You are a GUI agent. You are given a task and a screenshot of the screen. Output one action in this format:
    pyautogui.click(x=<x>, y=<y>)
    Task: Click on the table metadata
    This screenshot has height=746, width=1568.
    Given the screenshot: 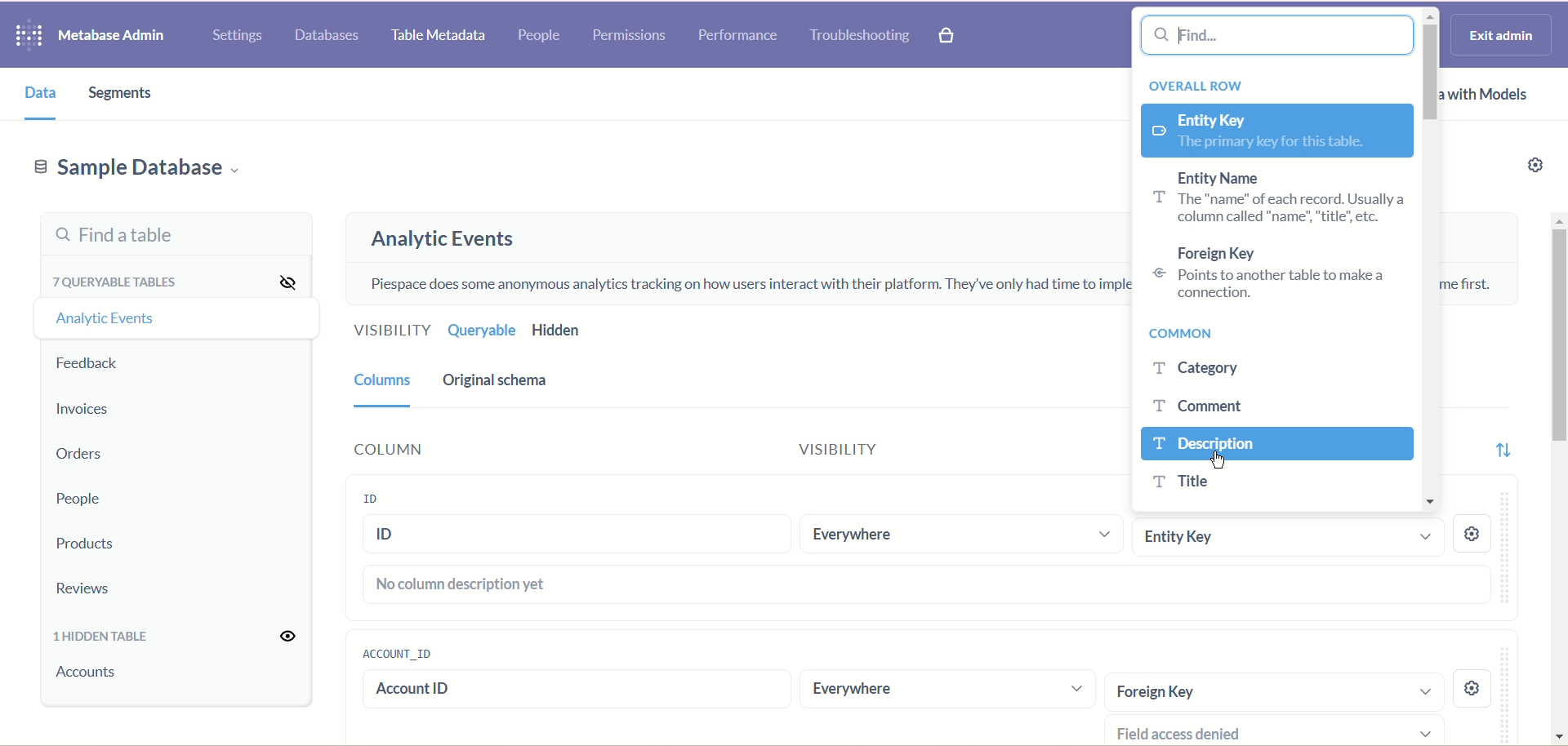 What is the action you would take?
    pyautogui.click(x=434, y=37)
    